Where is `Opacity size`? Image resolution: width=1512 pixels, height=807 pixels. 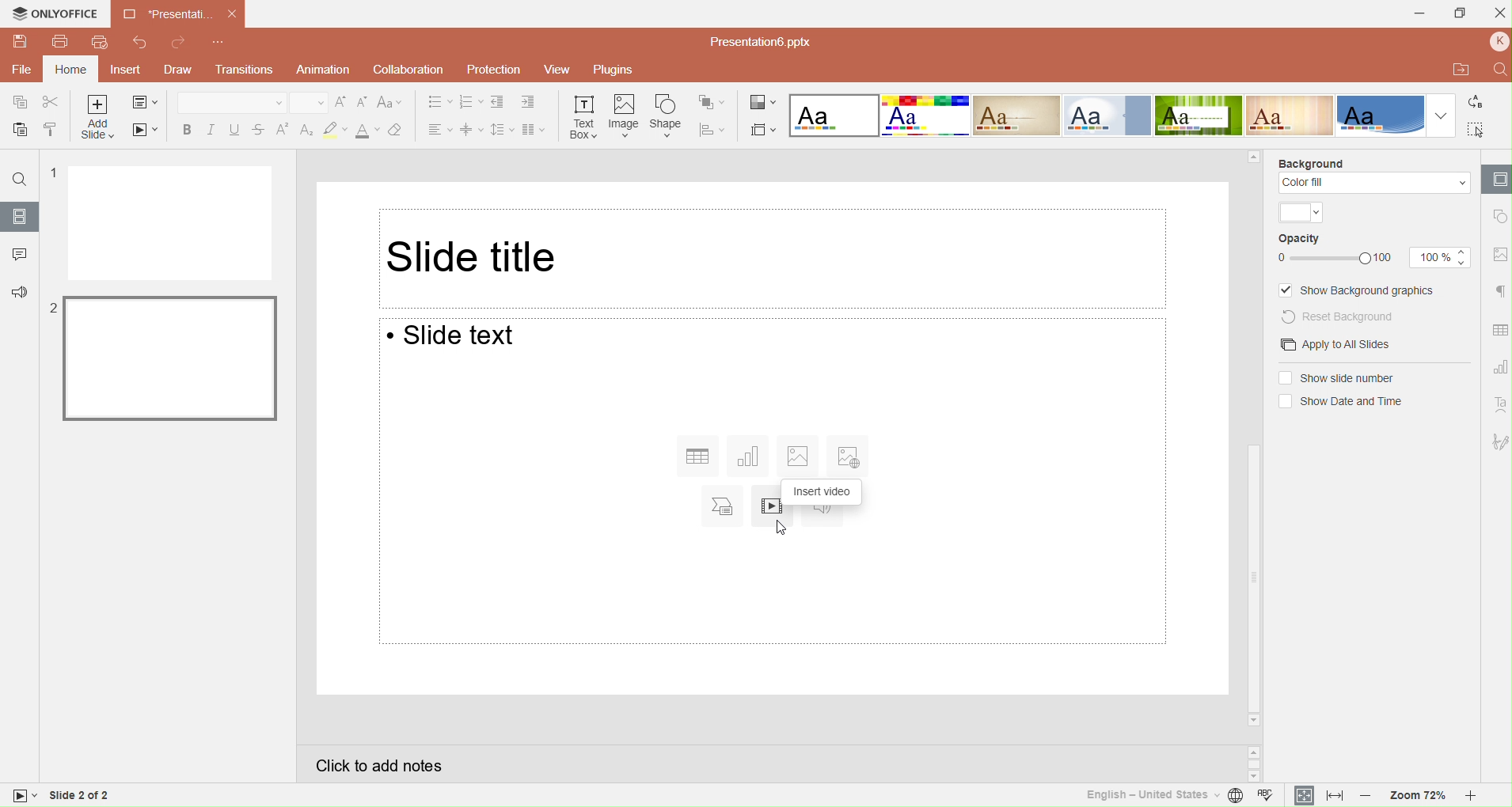
Opacity size is located at coordinates (1441, 257).